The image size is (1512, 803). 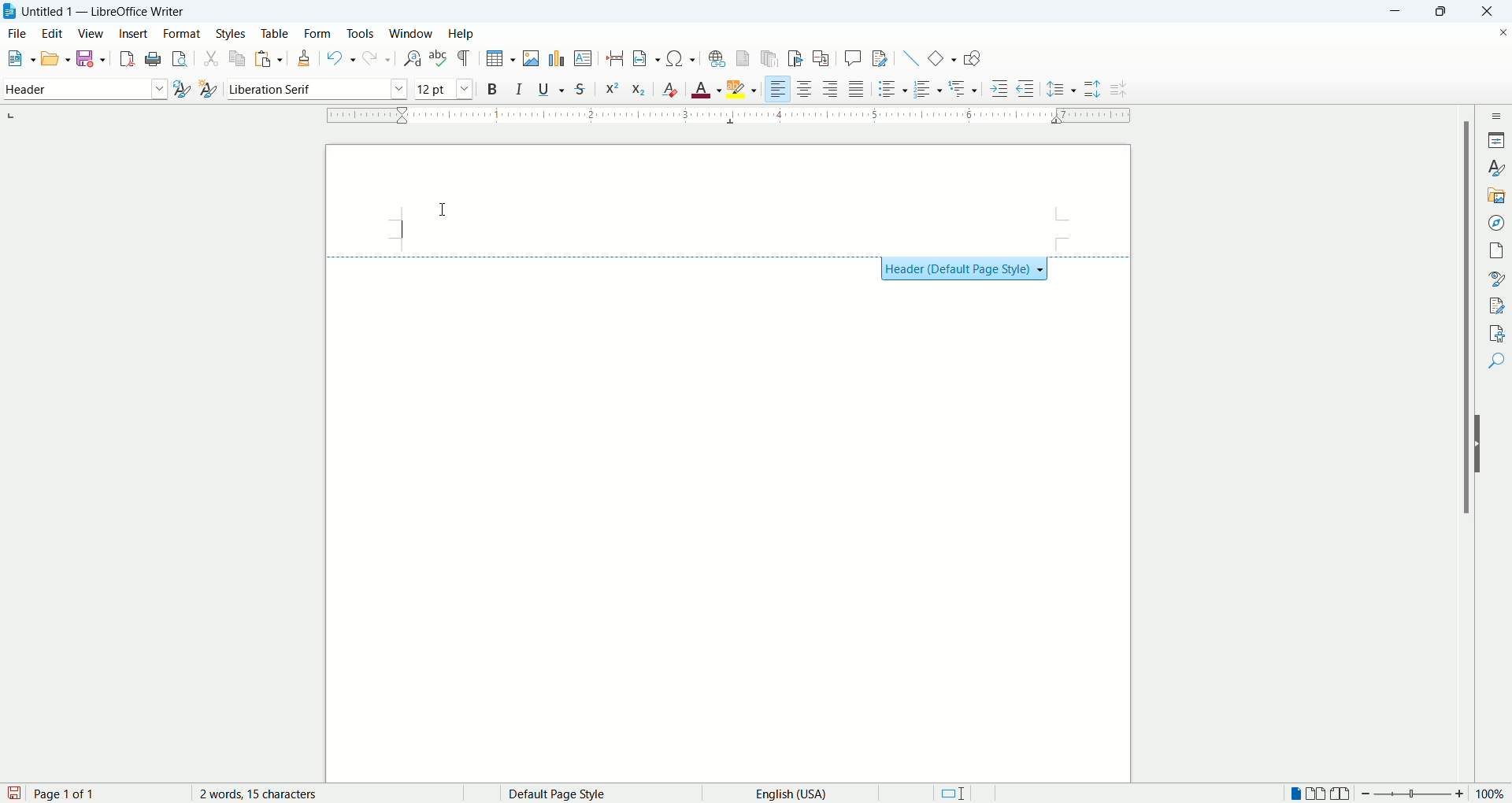 What do you see at coordinates (361, 34) in the screenshot?
I see `tools` at bounding box center [361, 34].